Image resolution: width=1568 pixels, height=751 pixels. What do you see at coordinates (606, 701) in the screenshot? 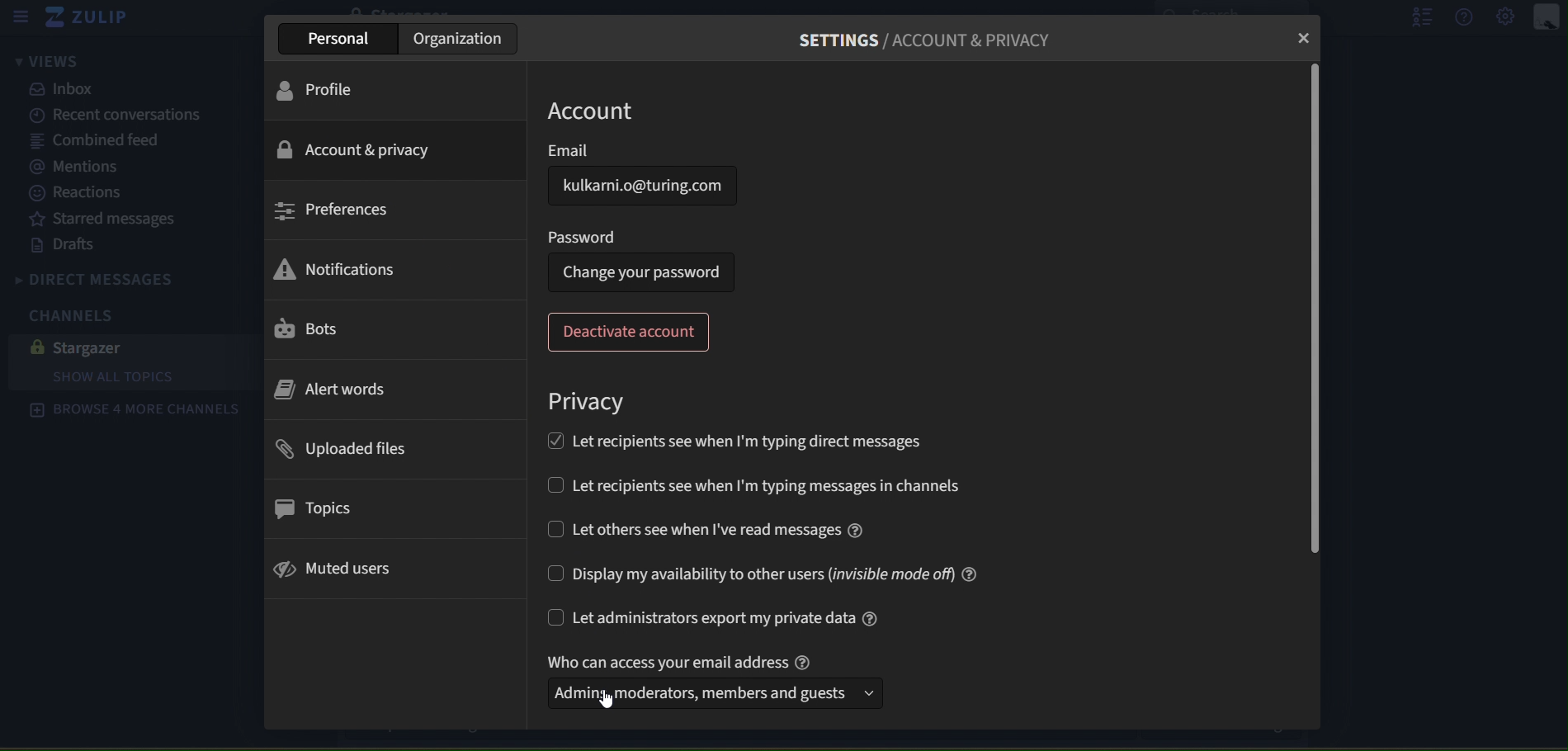
I see `cursor` at bounding box center [606, 701].